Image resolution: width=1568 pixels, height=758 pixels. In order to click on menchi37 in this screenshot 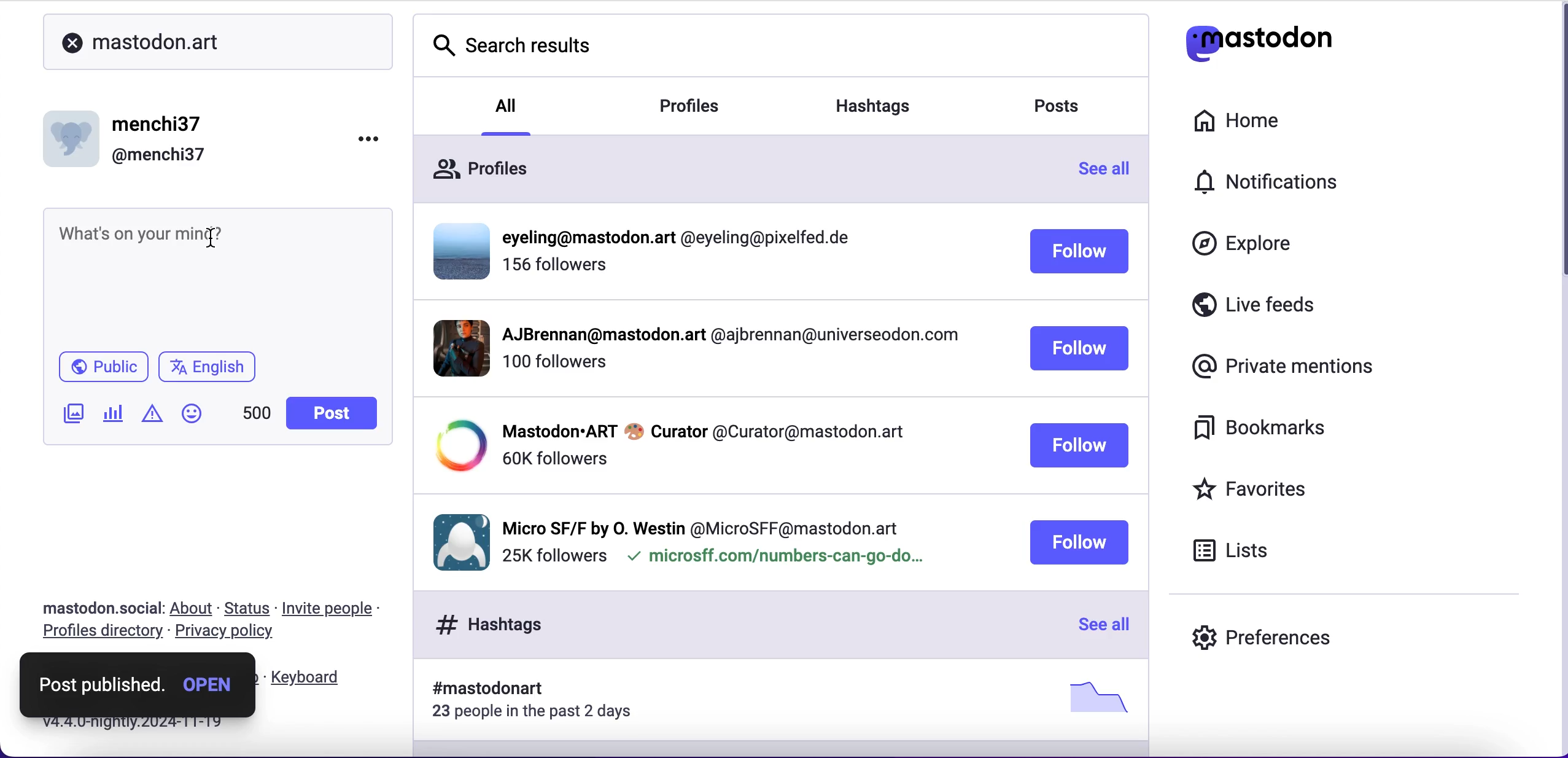, I will do `click(159, 125)`.